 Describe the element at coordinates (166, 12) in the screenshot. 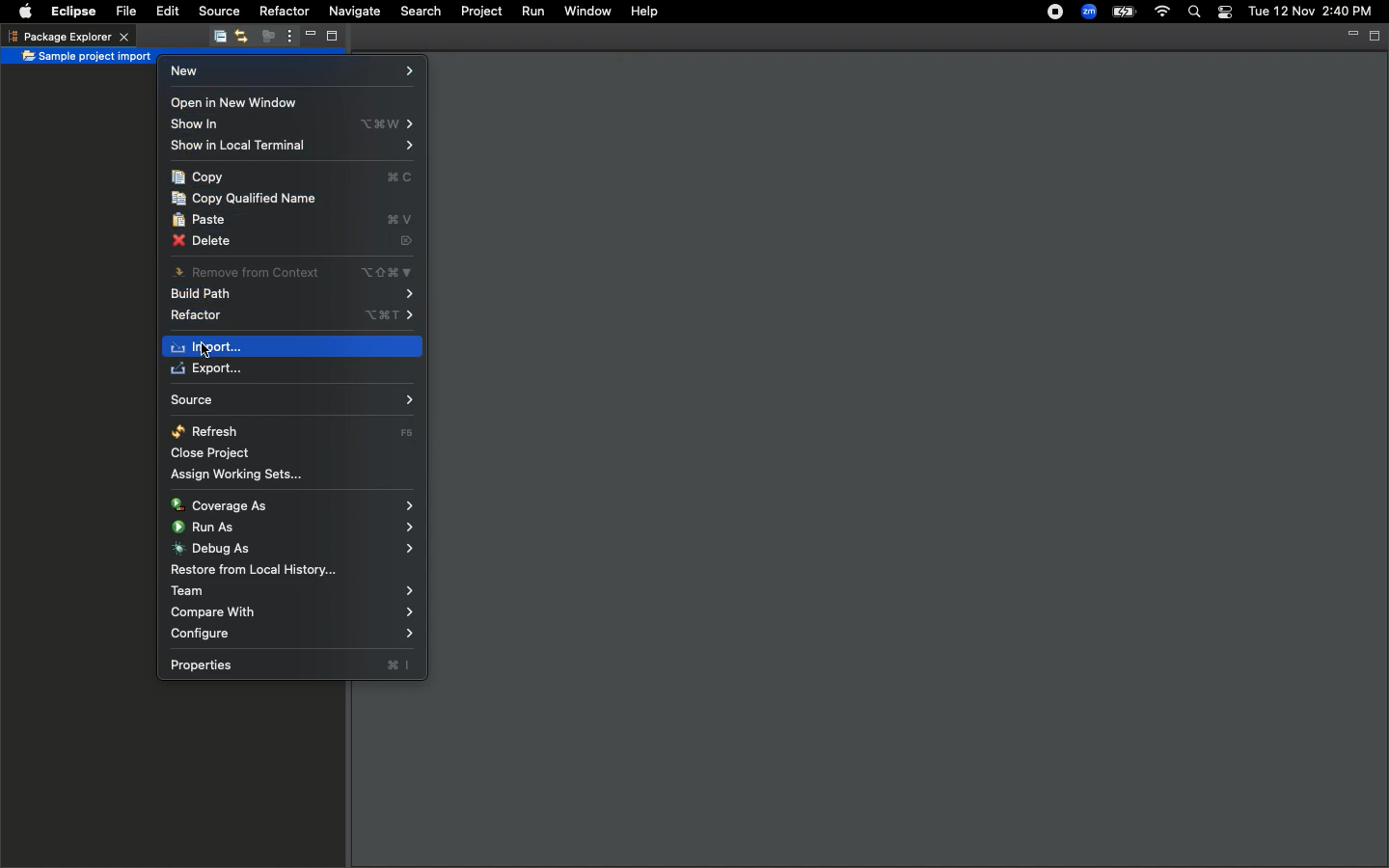

I see `Edit` at that location.